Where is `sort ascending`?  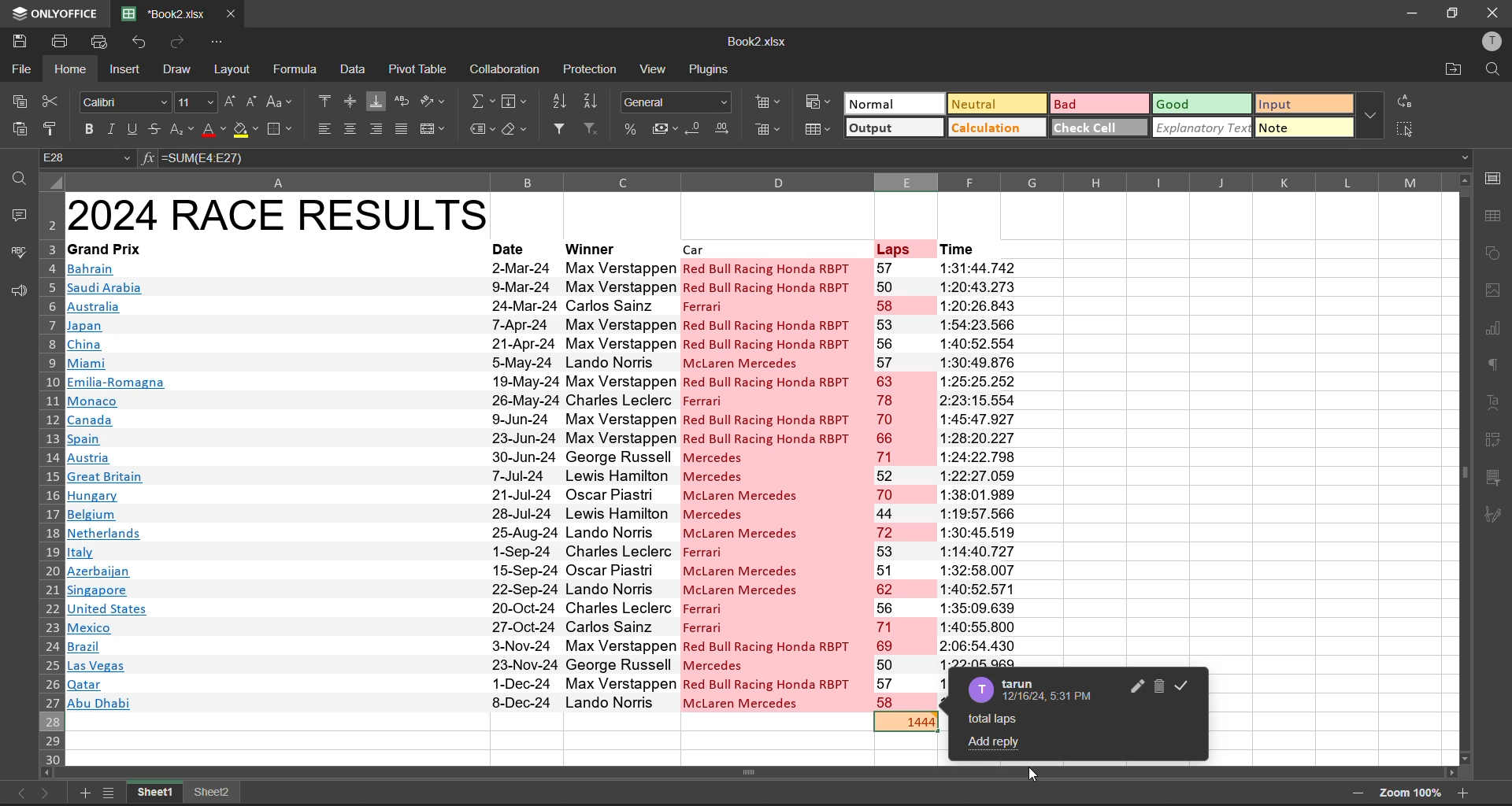 sort ascending is located at coordinates (561, 102).